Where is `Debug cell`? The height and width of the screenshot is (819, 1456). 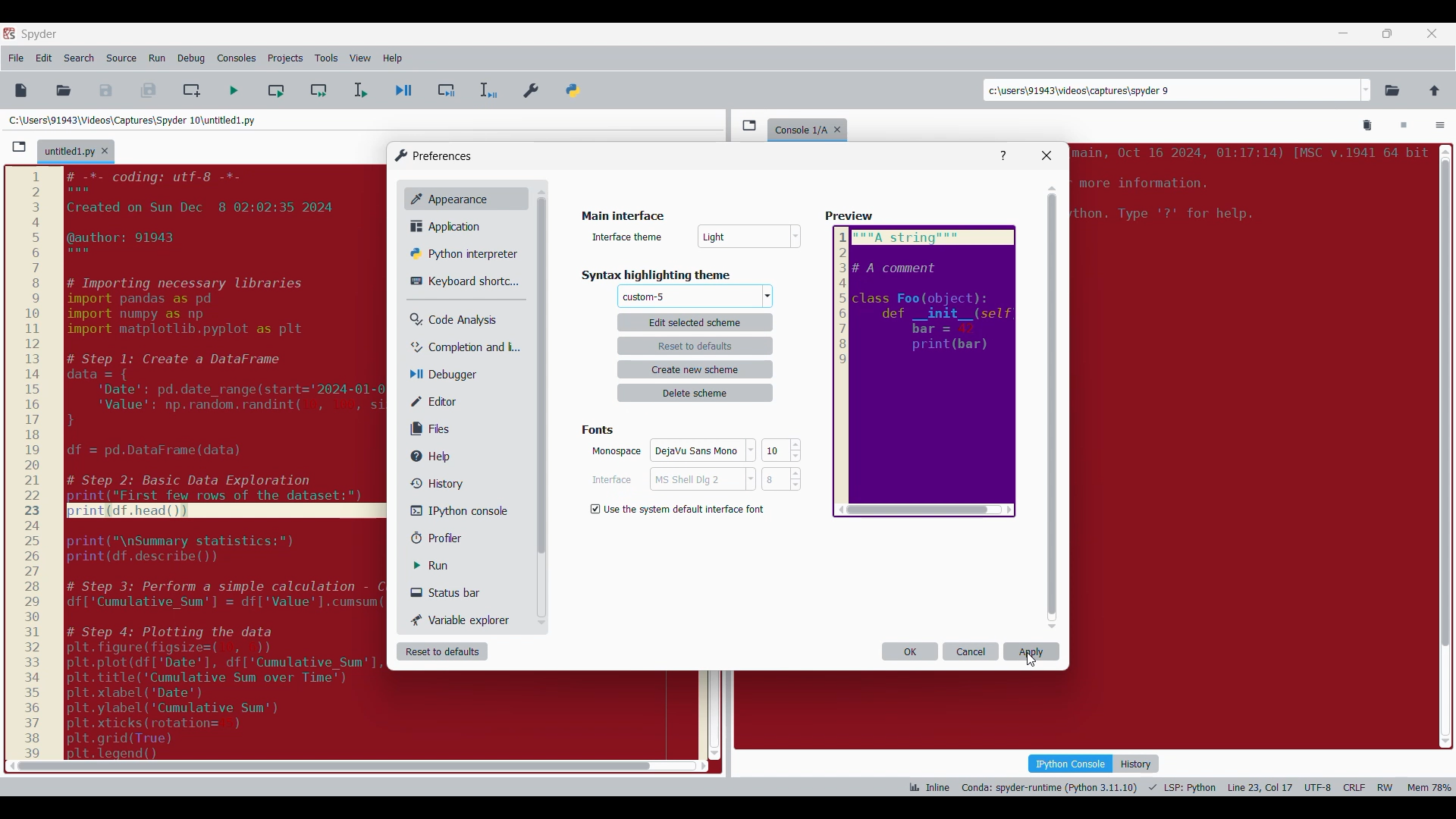
Debug cell is located at coordinates (447, 90).